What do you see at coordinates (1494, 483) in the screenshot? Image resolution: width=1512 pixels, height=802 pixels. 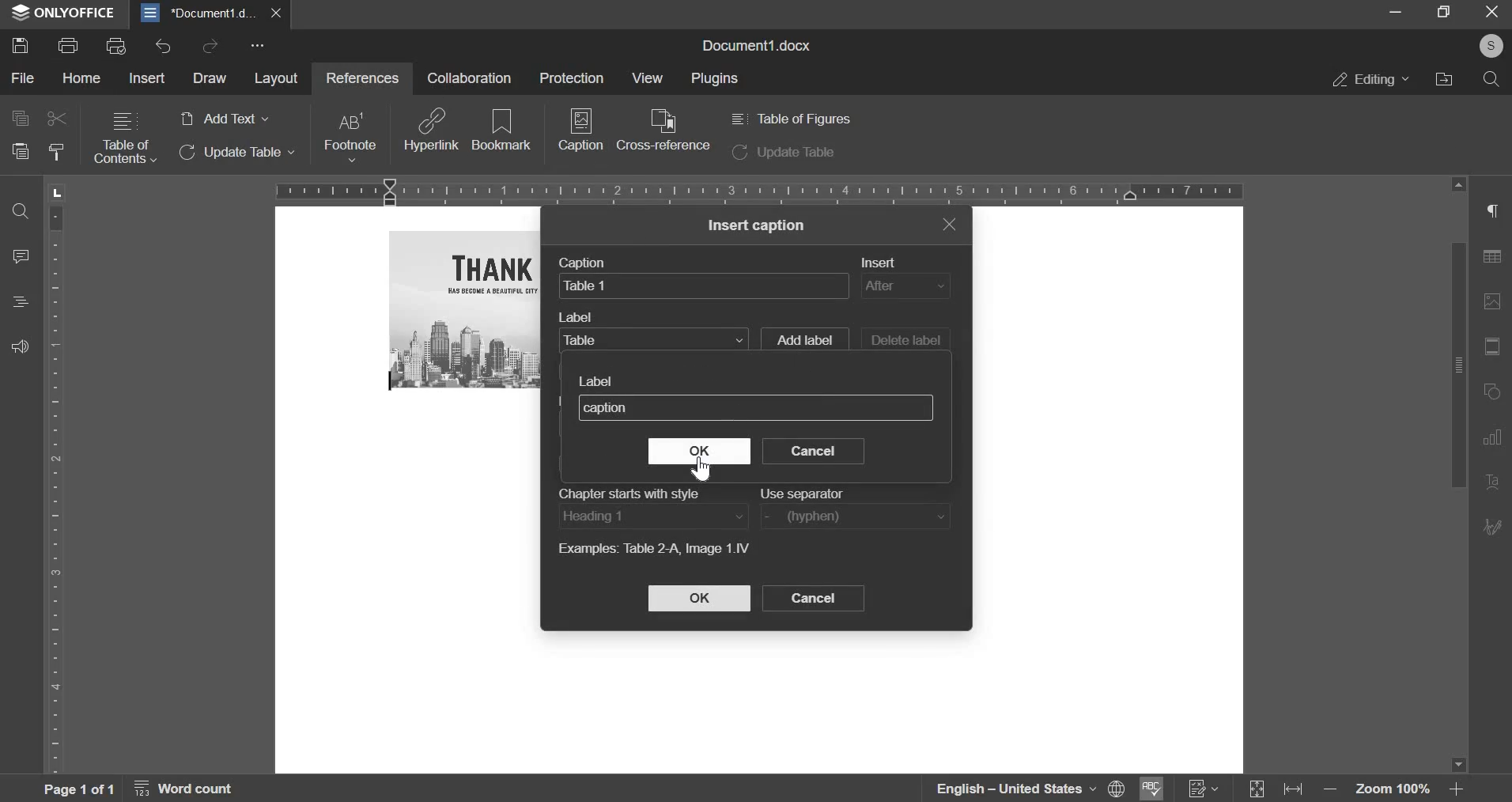 I see `Text` at bounding box center [1494, 483].